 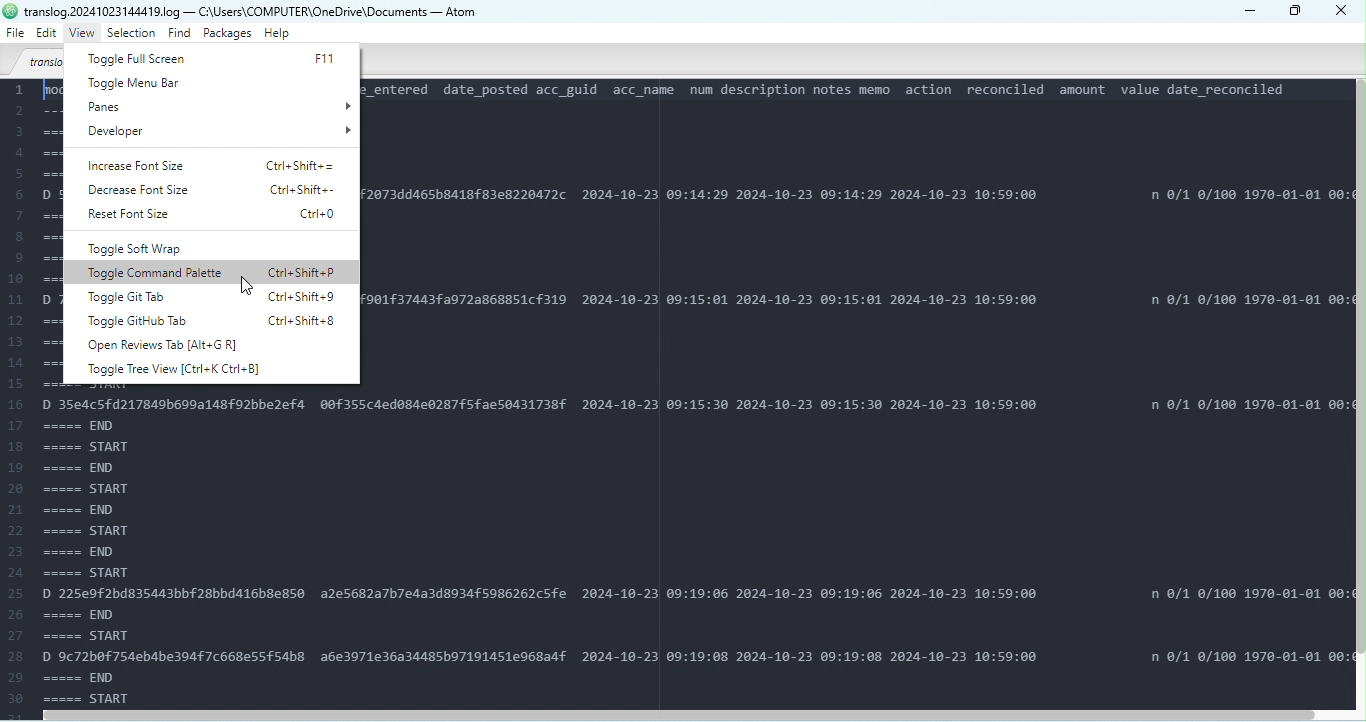 What do you see at coordinates (204, 296) in the screenshot?
I see `Toggle git tab` at bounding box center [204, 296].